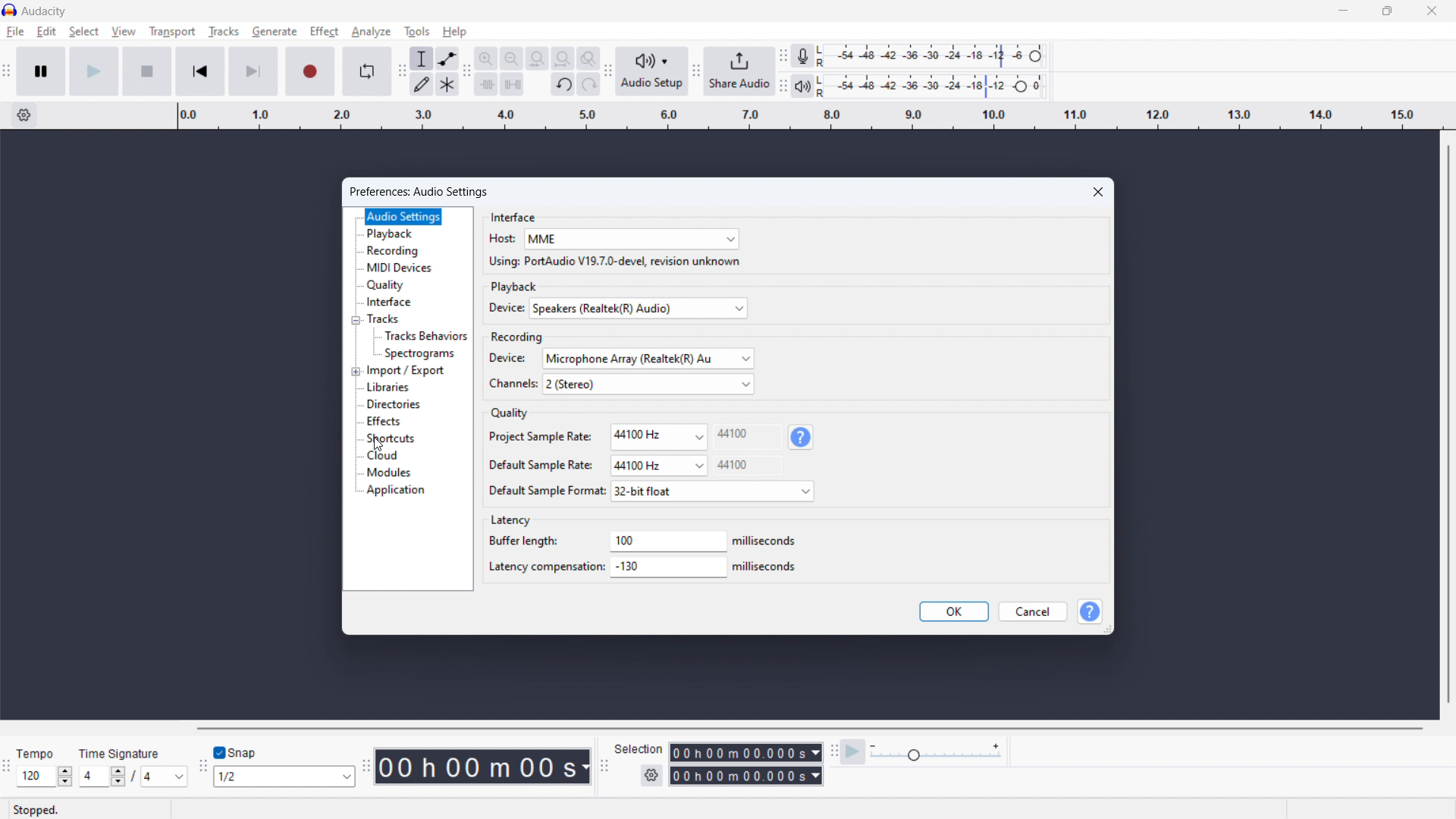  Describe the element at coordinates (639, 309) in the screenshot. I see `playback device` at that location.